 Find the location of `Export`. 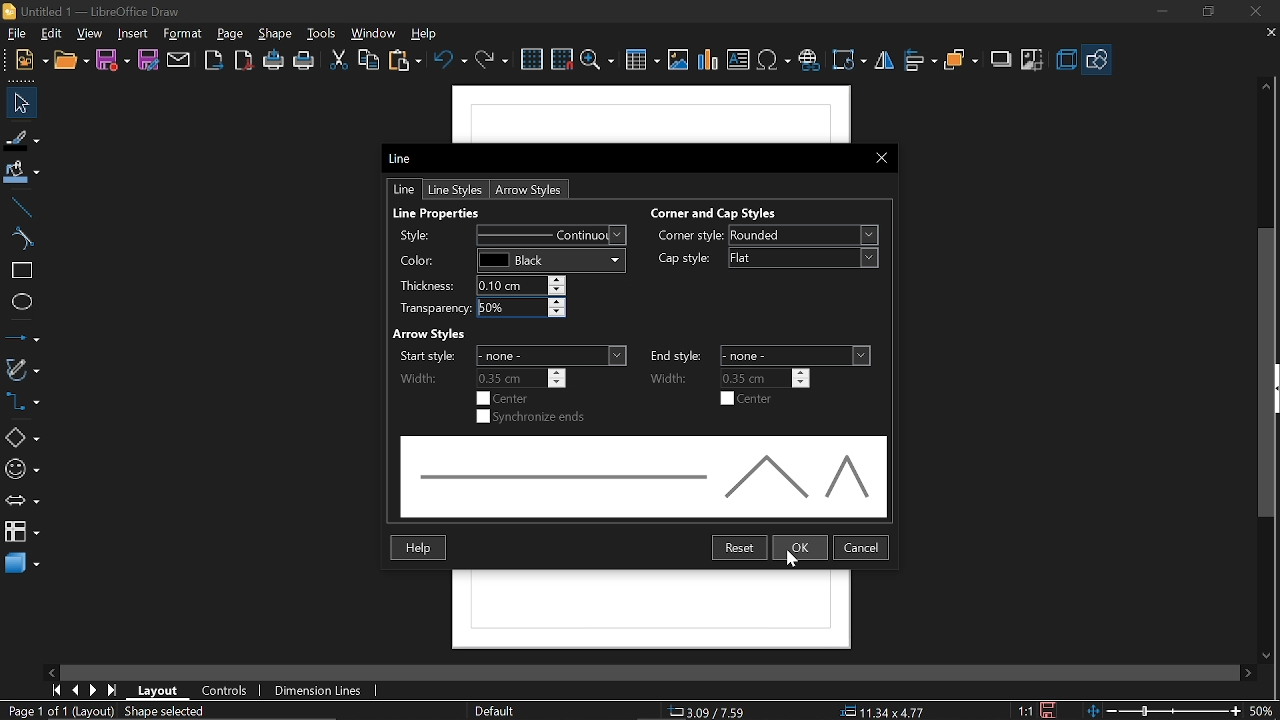

Export is located at coordinates (214, 60).